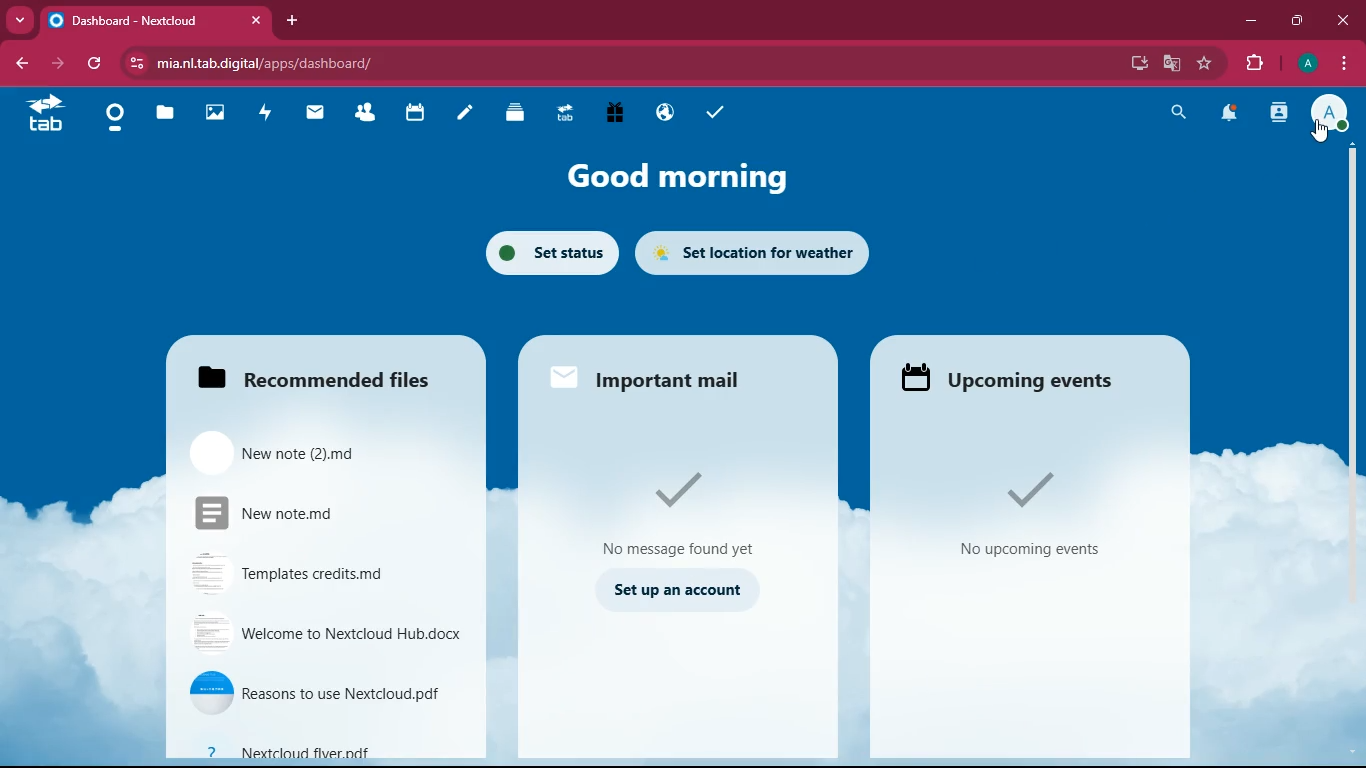  Describe the element at coordinates (320, 691) in the screenshot. I see `reasons to use nextcloud.pdf` at that location.